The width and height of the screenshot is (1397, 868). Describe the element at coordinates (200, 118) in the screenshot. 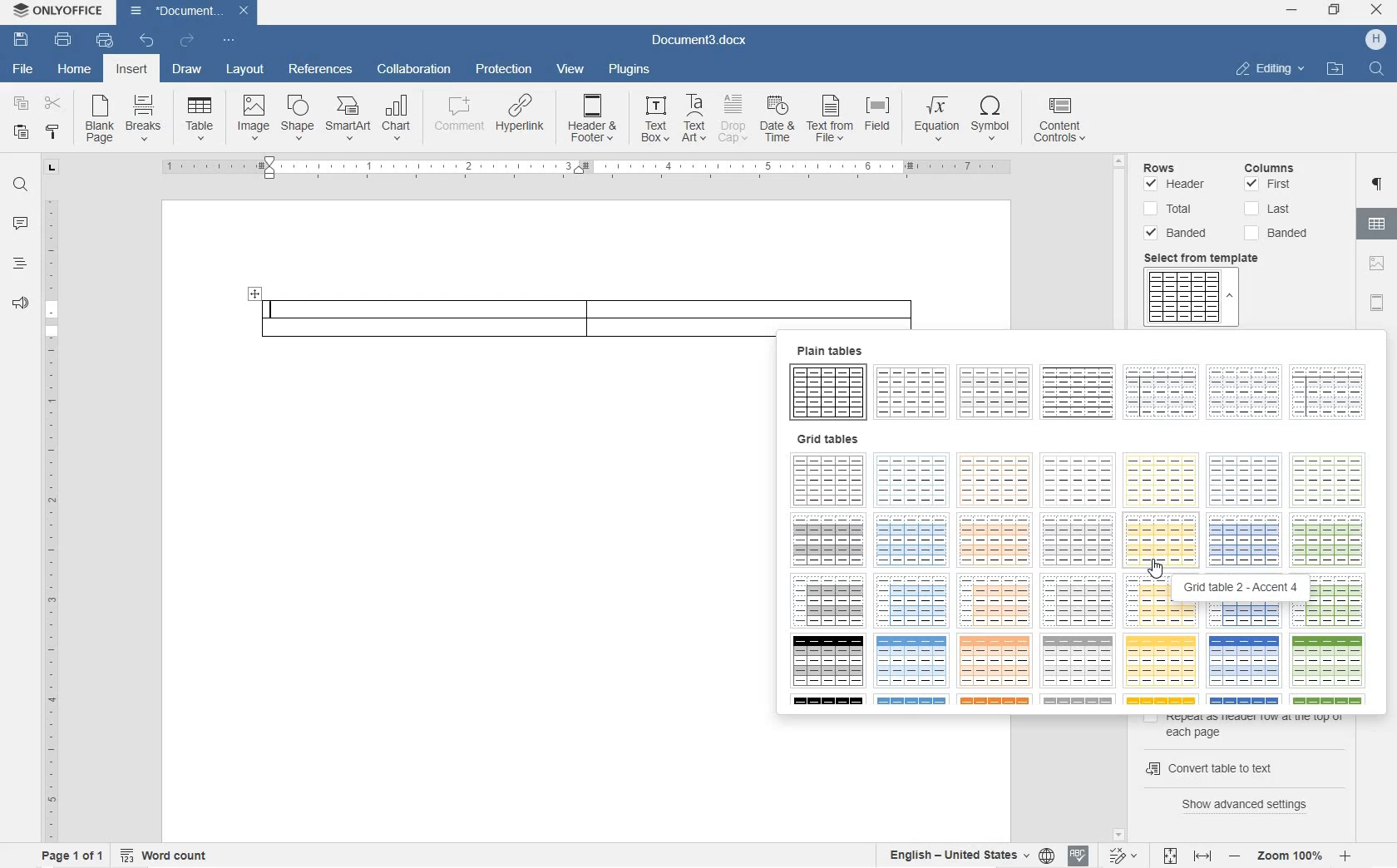

I see `insert table` at that location.